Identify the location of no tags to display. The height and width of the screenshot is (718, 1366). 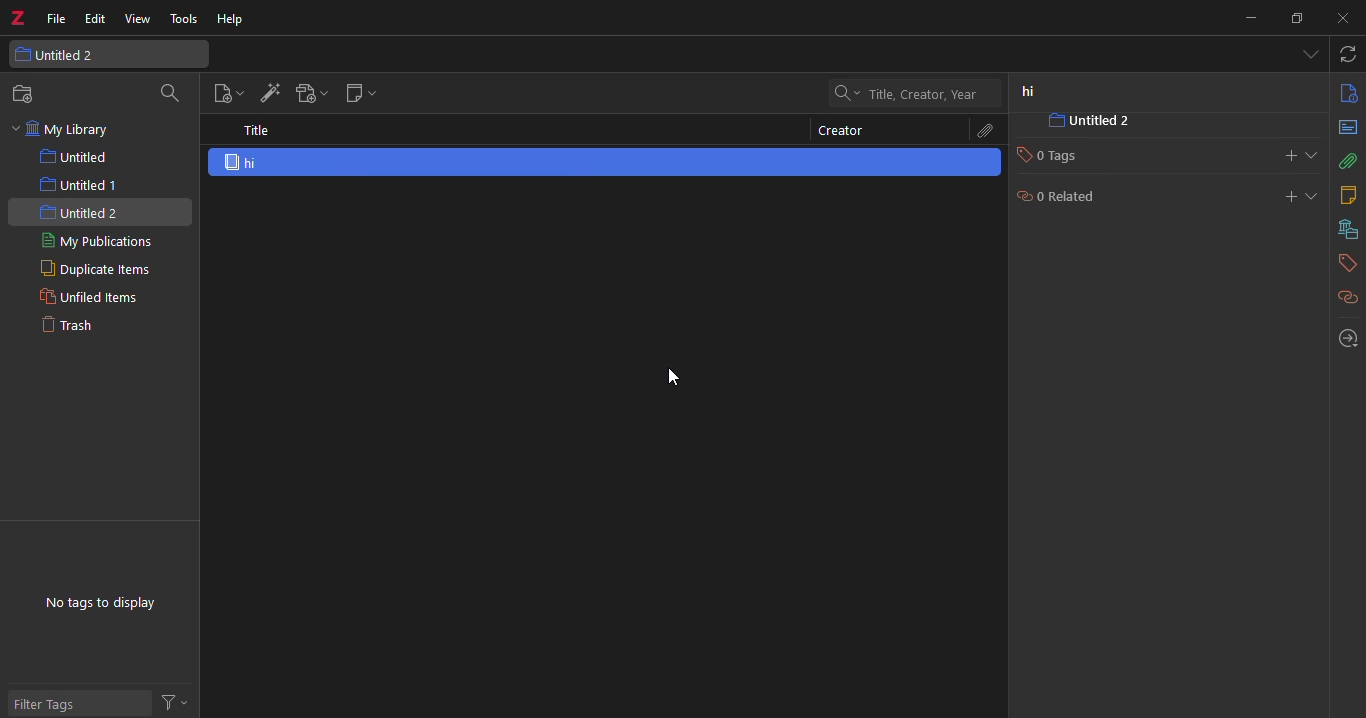
(100, 604).